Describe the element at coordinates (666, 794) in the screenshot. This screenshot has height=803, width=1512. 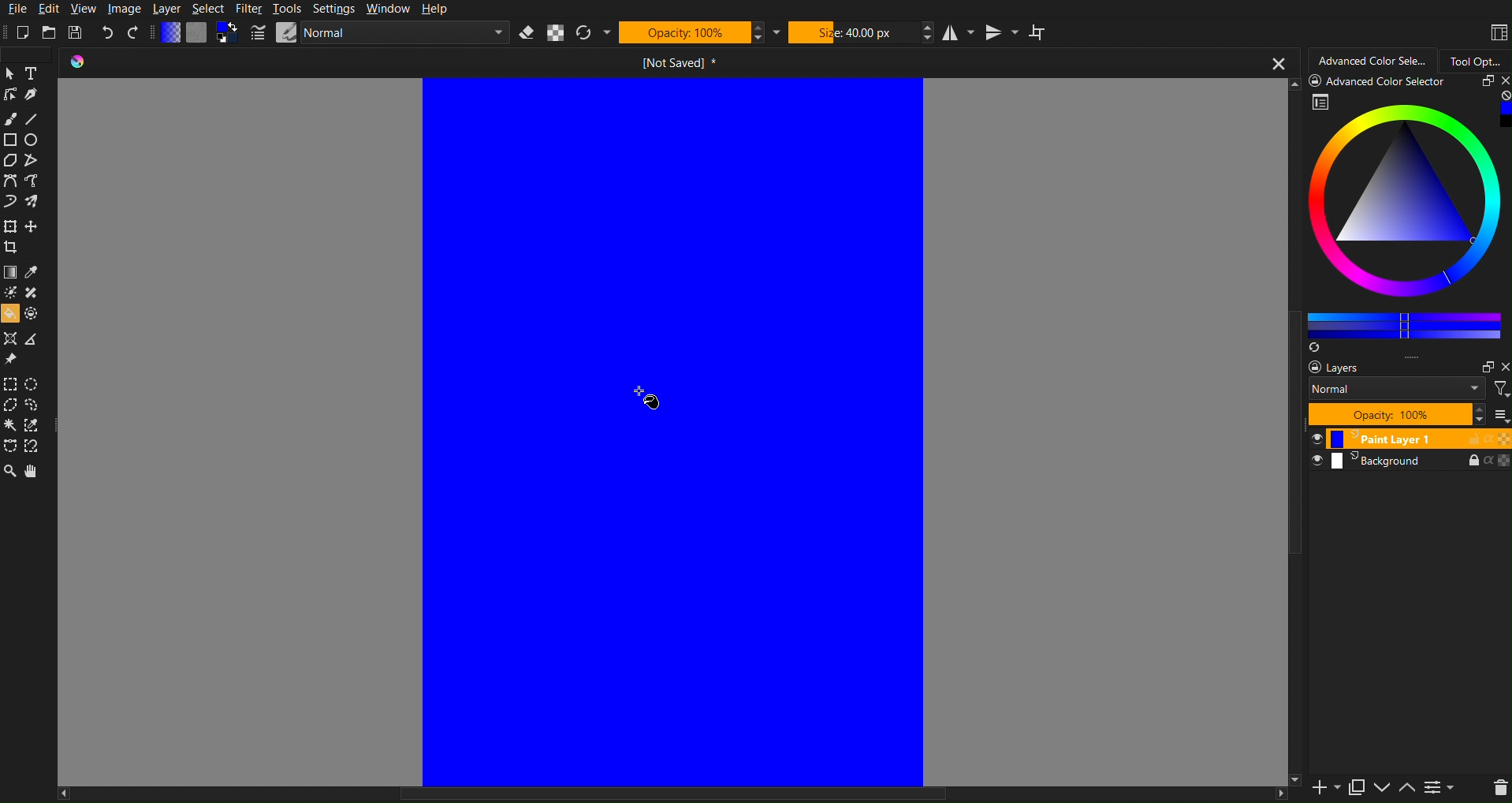
I see `` at that location.